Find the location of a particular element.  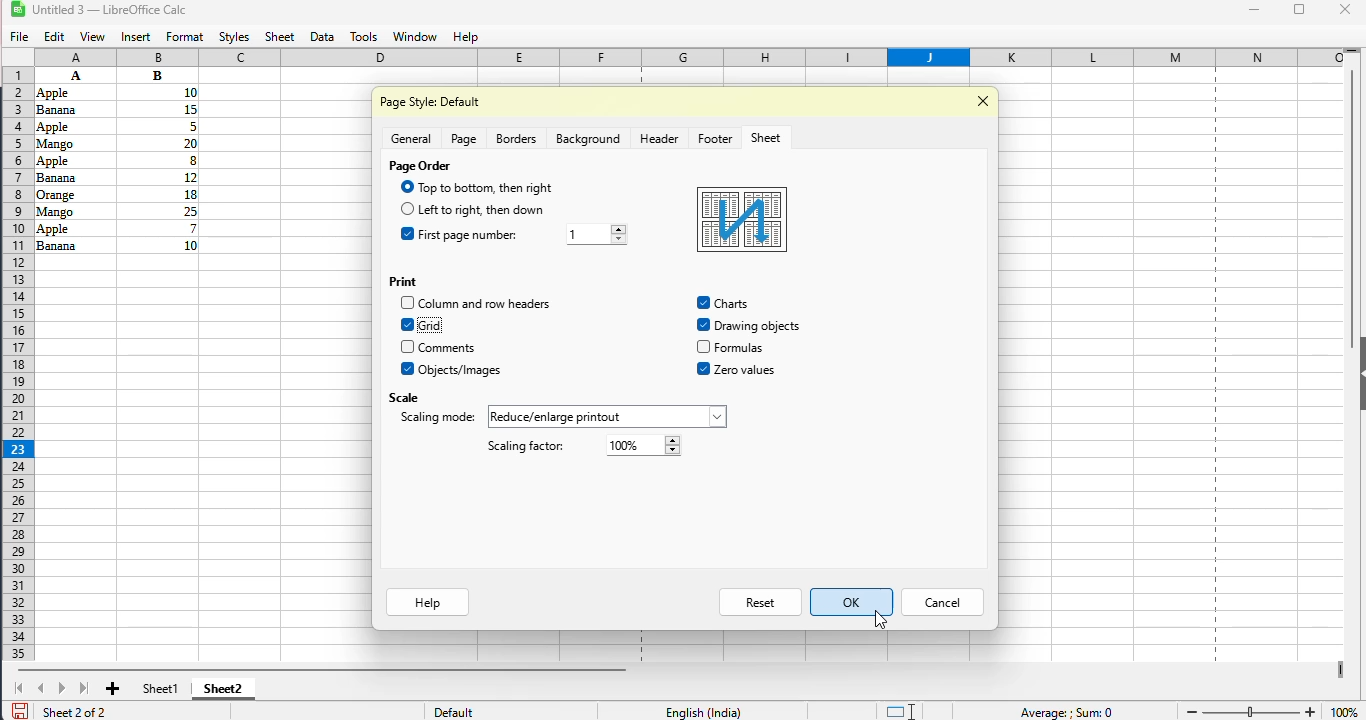

sheet is located at coordinates (765, 138).